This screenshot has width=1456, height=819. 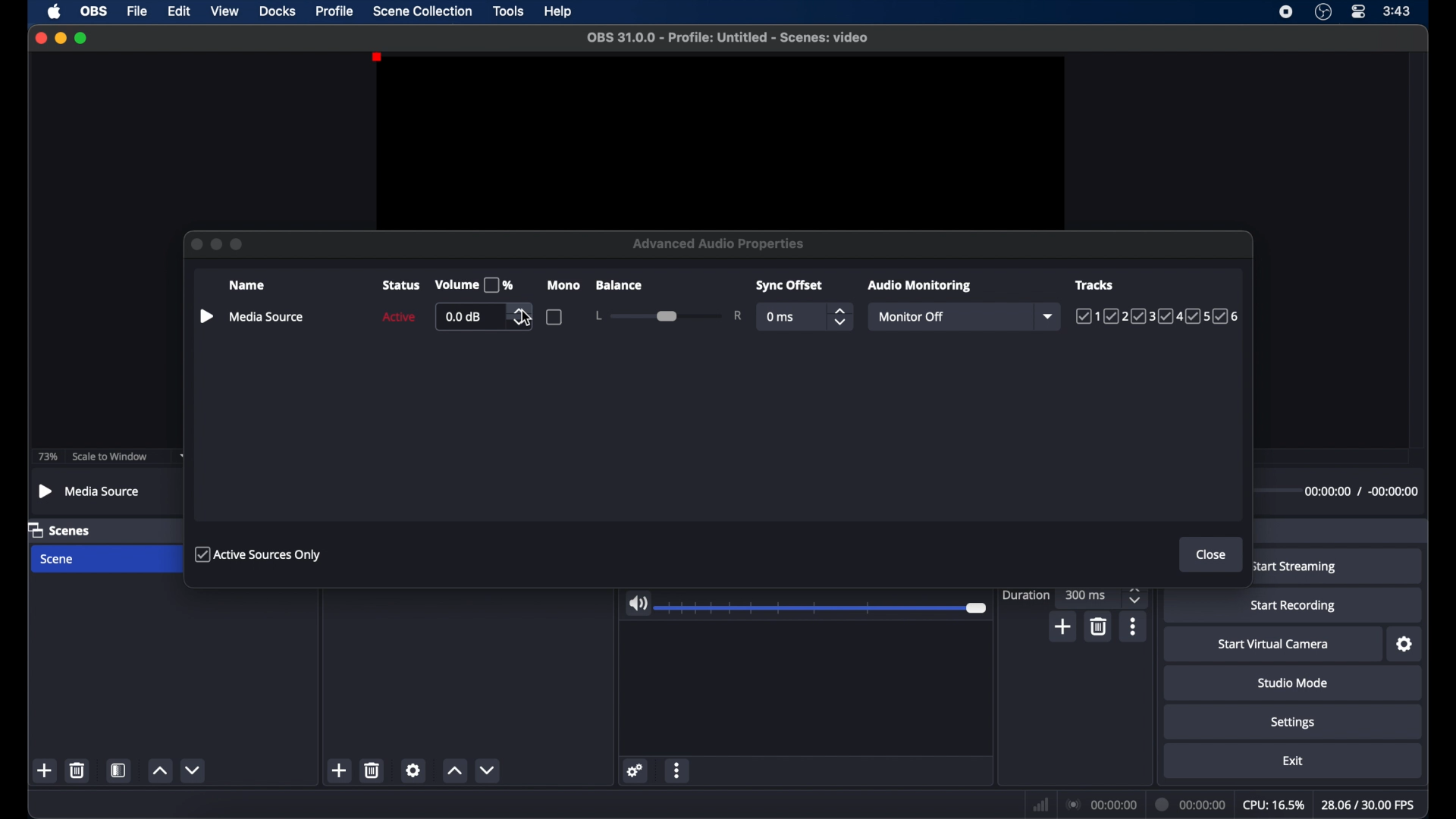 I want to click on close, so click(x=1211, y=555).